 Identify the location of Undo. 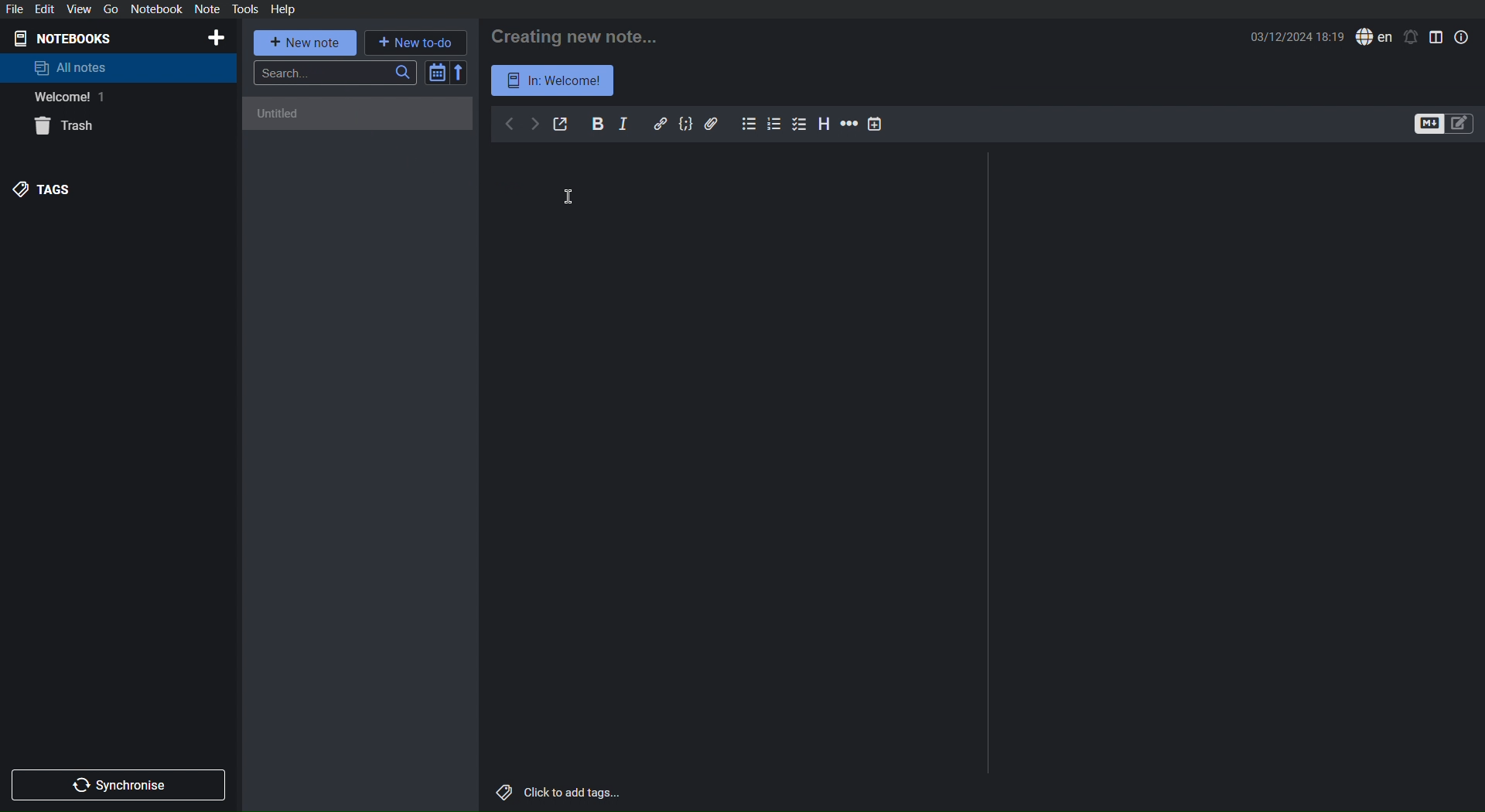
(509, 125).